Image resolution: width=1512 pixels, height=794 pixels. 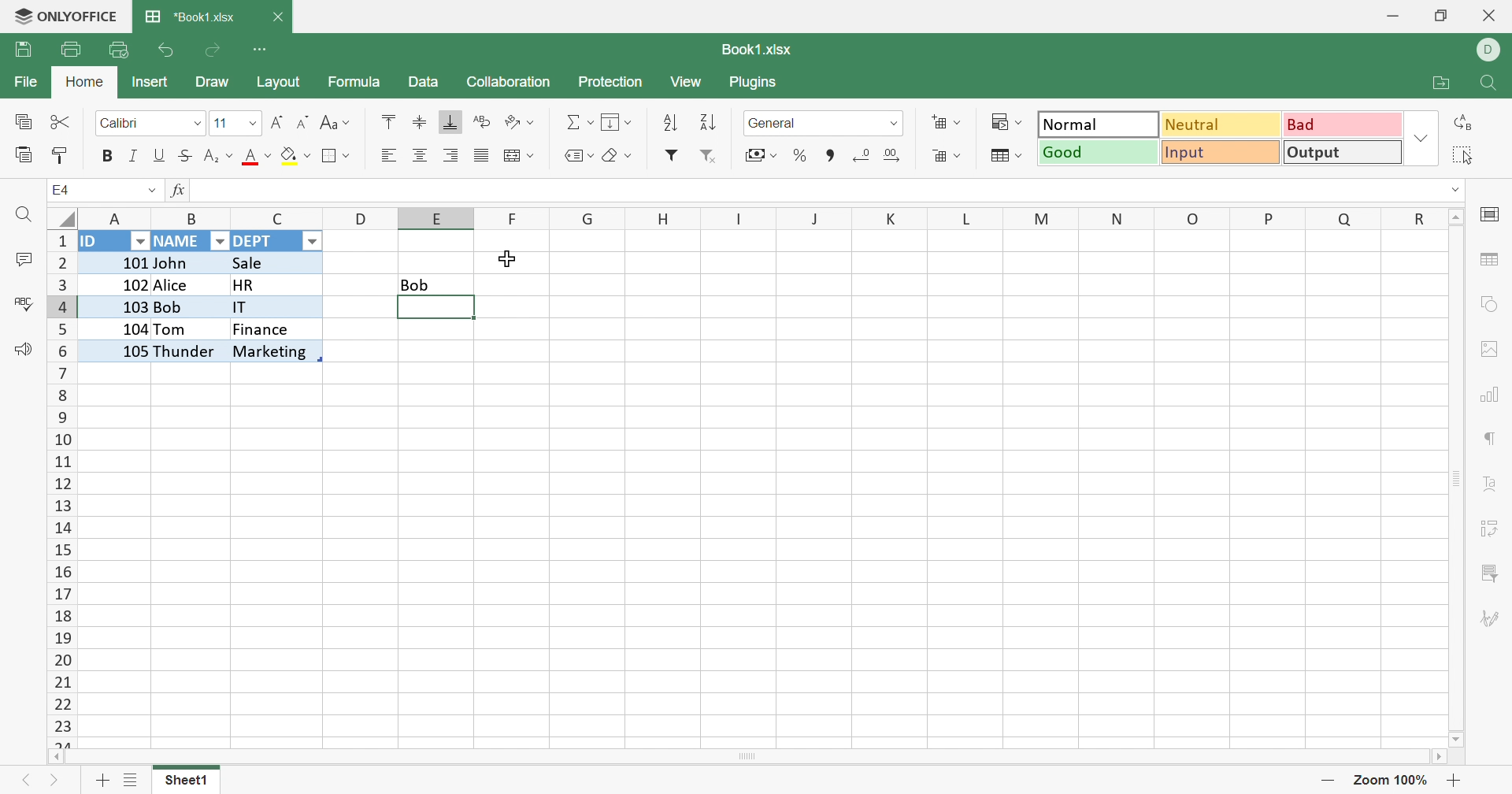 I want to click on ID, so click(x=94, y=242).